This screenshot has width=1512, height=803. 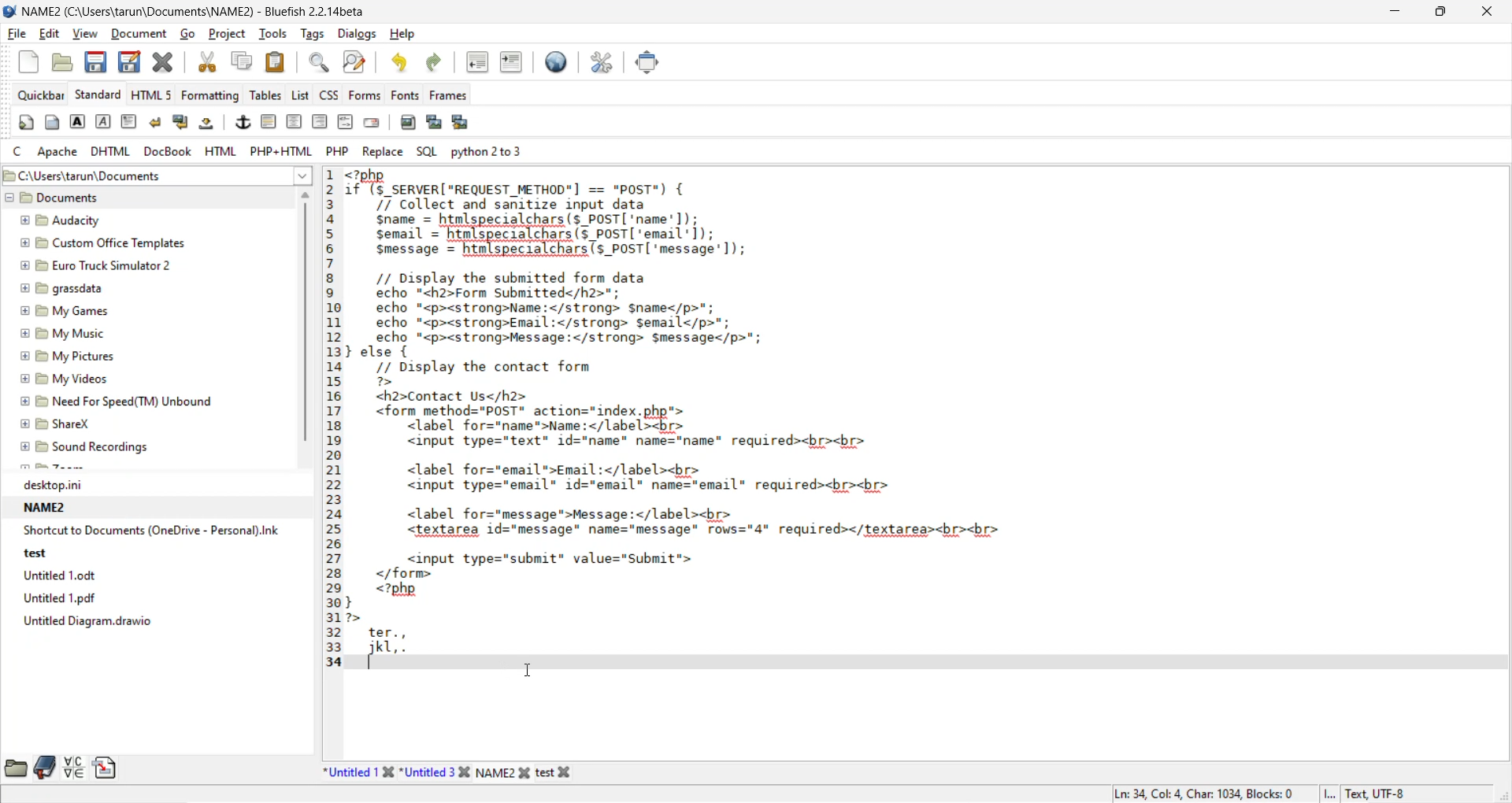 What do you see at coordinates (74, 768) in the screenshot?
I see `charmap` at bounding box center [74, 768].